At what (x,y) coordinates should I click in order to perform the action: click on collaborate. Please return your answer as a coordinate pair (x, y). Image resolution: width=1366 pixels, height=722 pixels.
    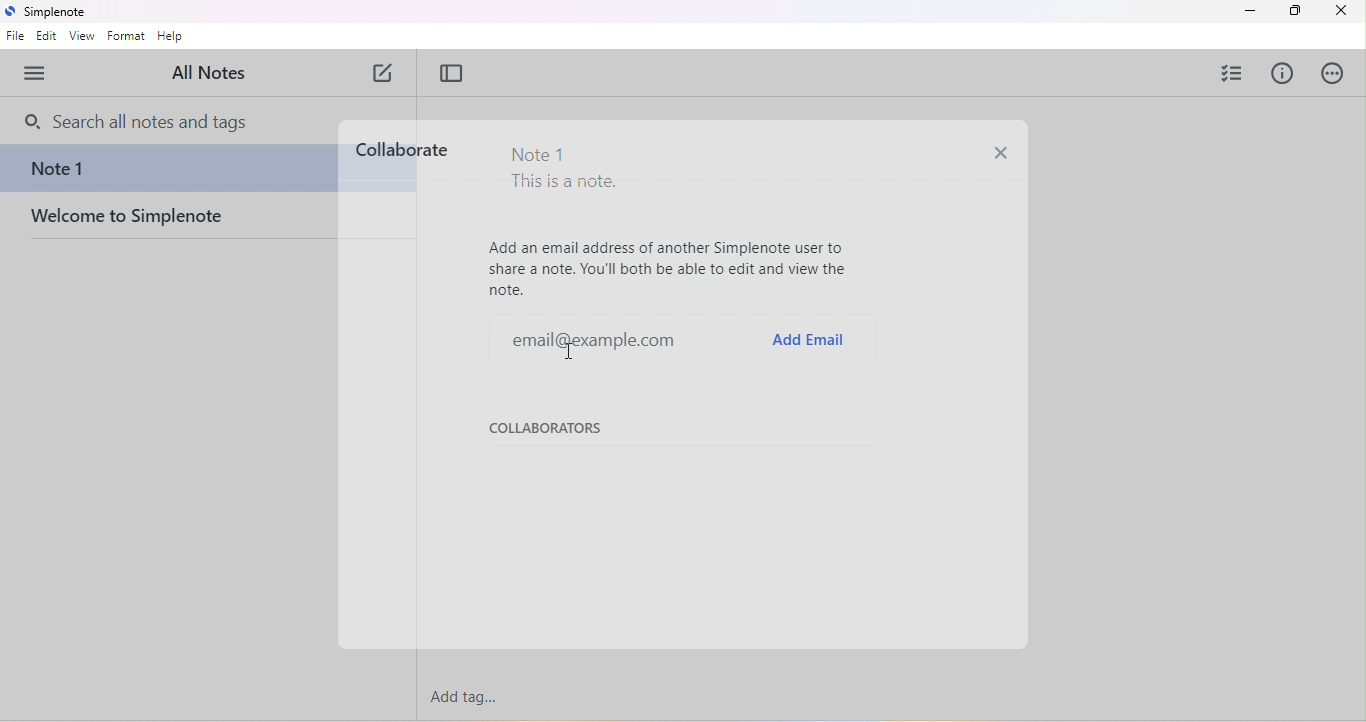
    Looking at the image, I should click on (401, 149).